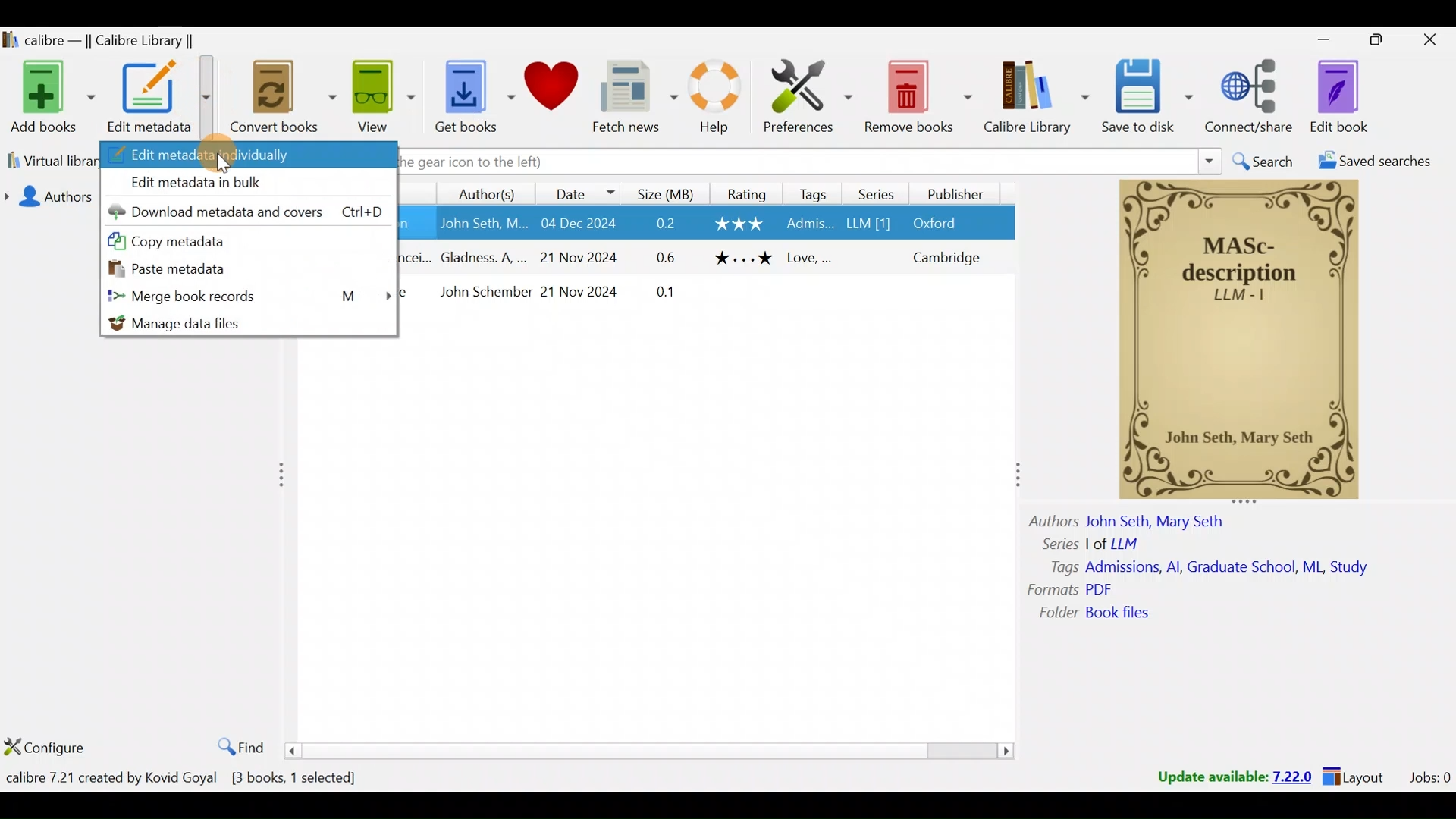  Describe the element at coordinates (1230, 566) in the screenshot. I see `` at that location.